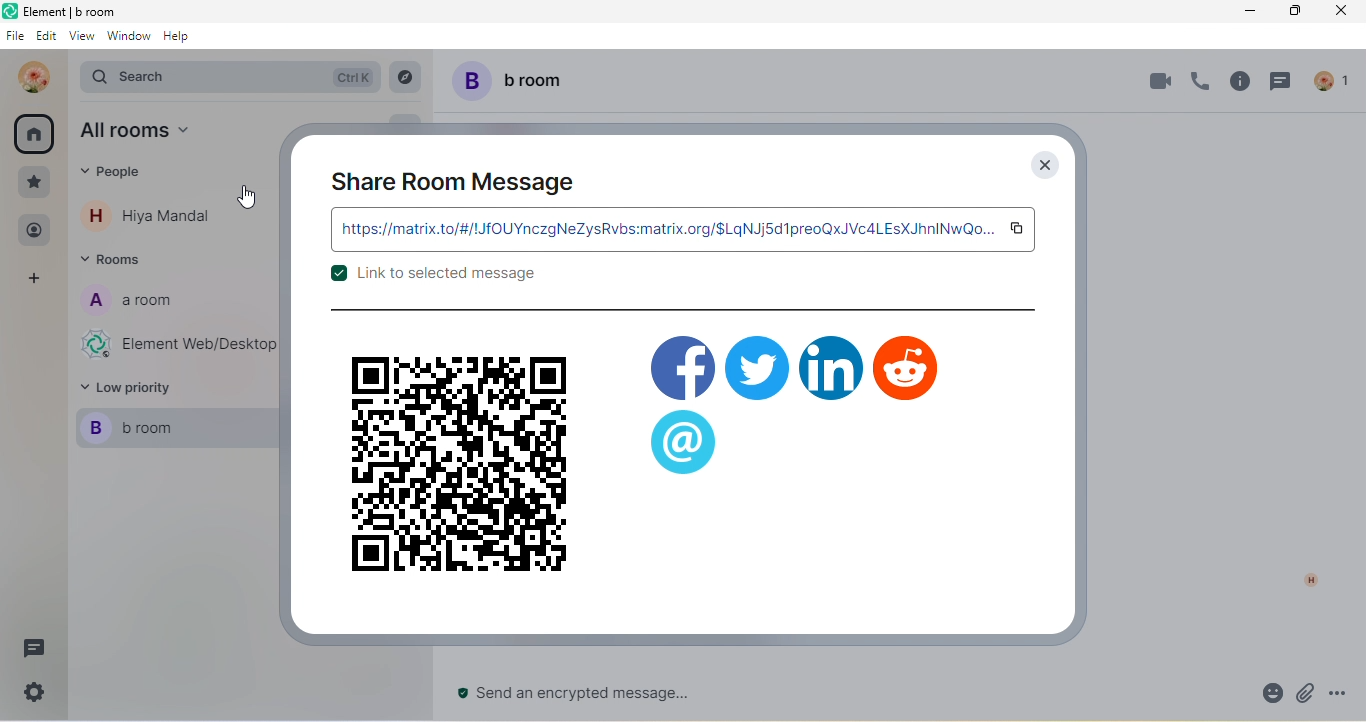 The image size is (1366, 722). I want to click on https://matrix.to/#/!fOUYnczgNeZysRvbs:matrix.org/$LaNJjSd1preoQxJVc4LEsXJhnINwQo..., so click(665, 229).